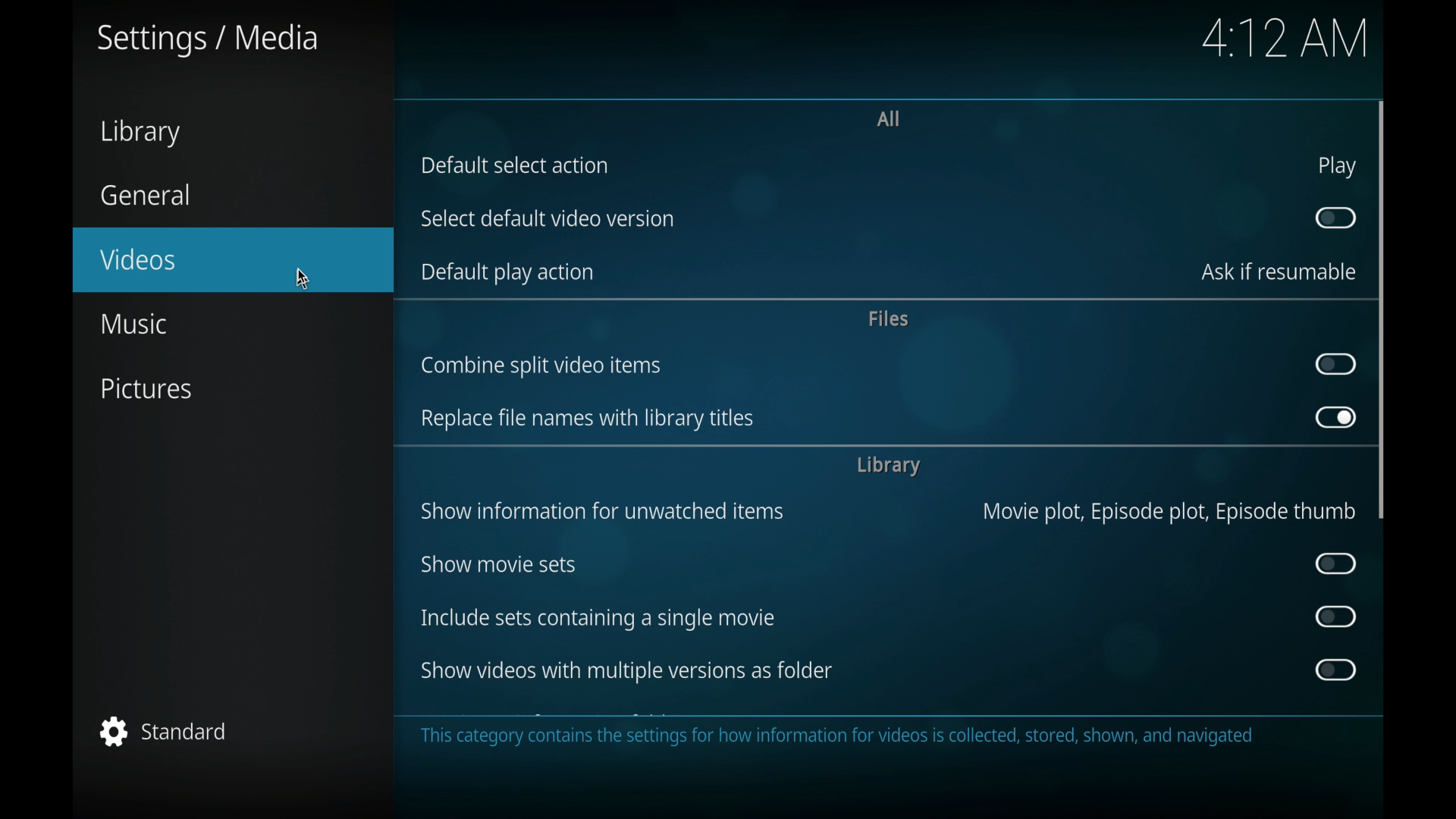 This screenshot has width=1456, height=819. I want to click on ombine split video items, so click(541, 367).